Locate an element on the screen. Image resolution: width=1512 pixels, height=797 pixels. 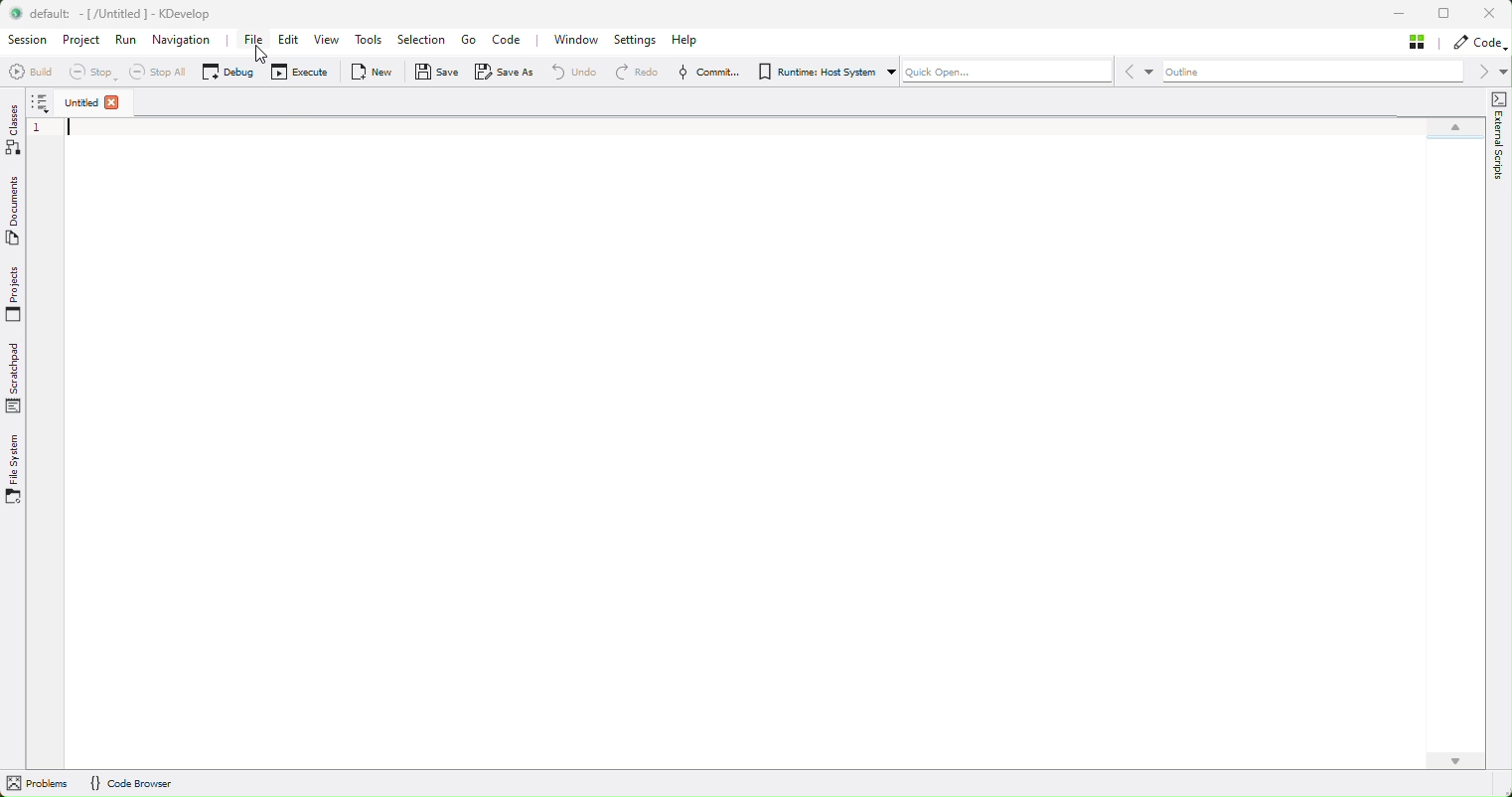
Navigation is located at coordinates (181, 42).